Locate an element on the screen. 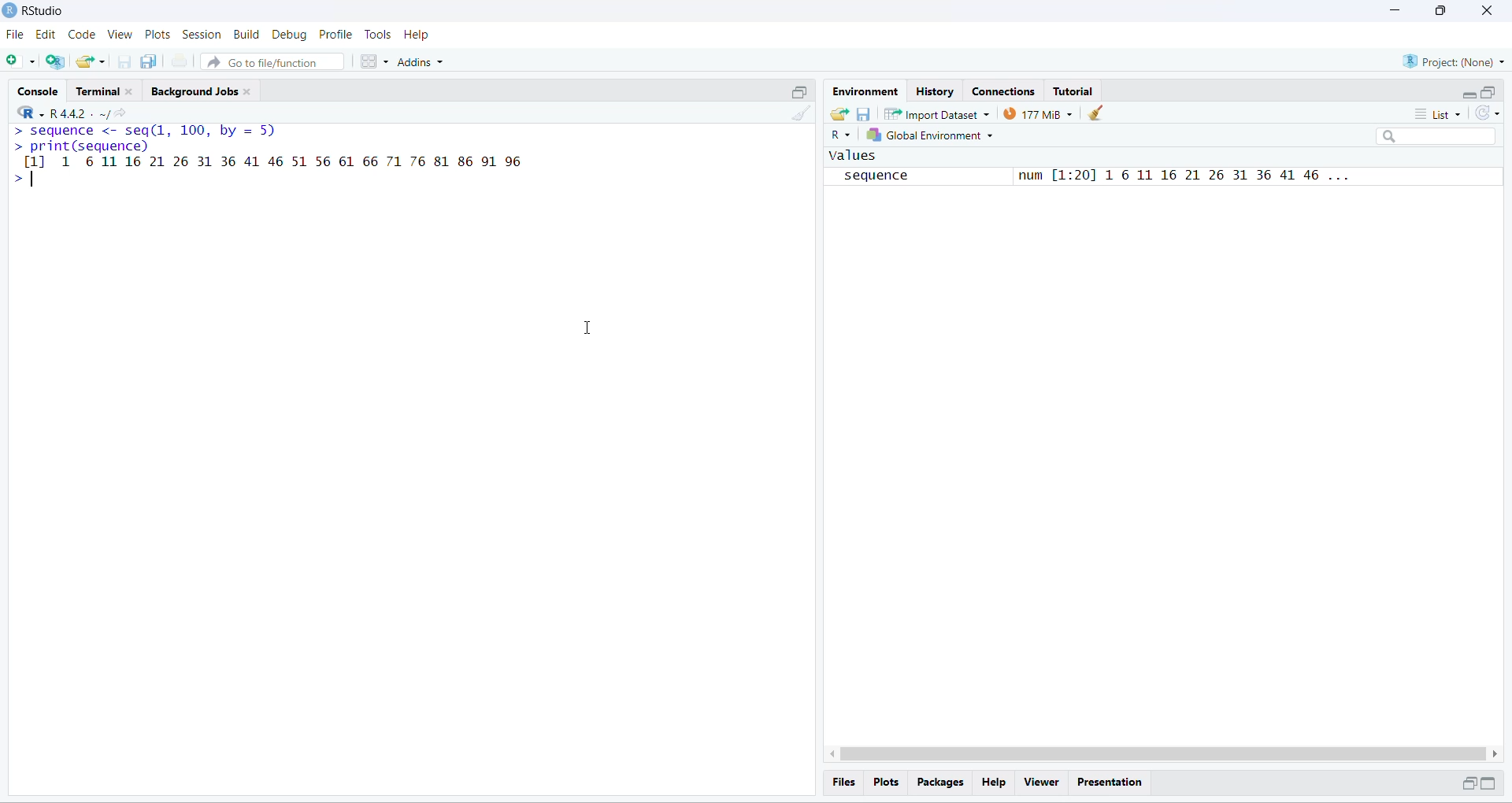 The image size is (1512, 803). R is located at coordinates (30, 111).